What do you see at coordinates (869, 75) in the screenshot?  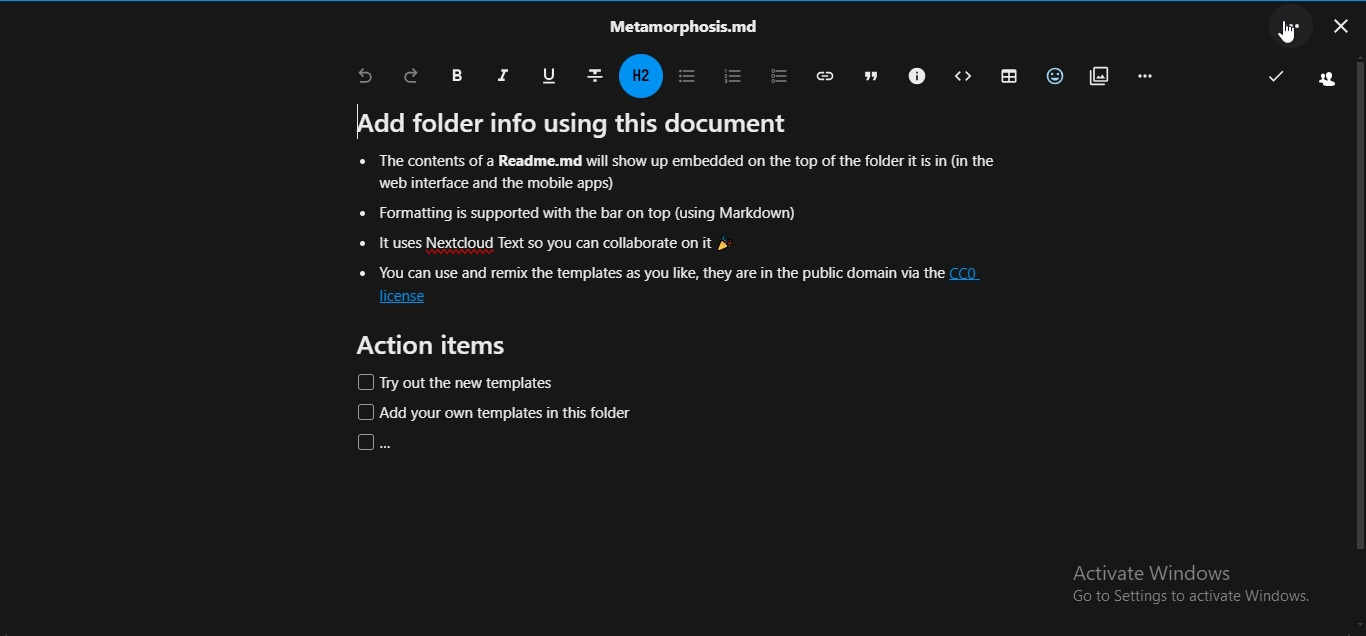 I see `blockquote` at bounding box center [869, 75].